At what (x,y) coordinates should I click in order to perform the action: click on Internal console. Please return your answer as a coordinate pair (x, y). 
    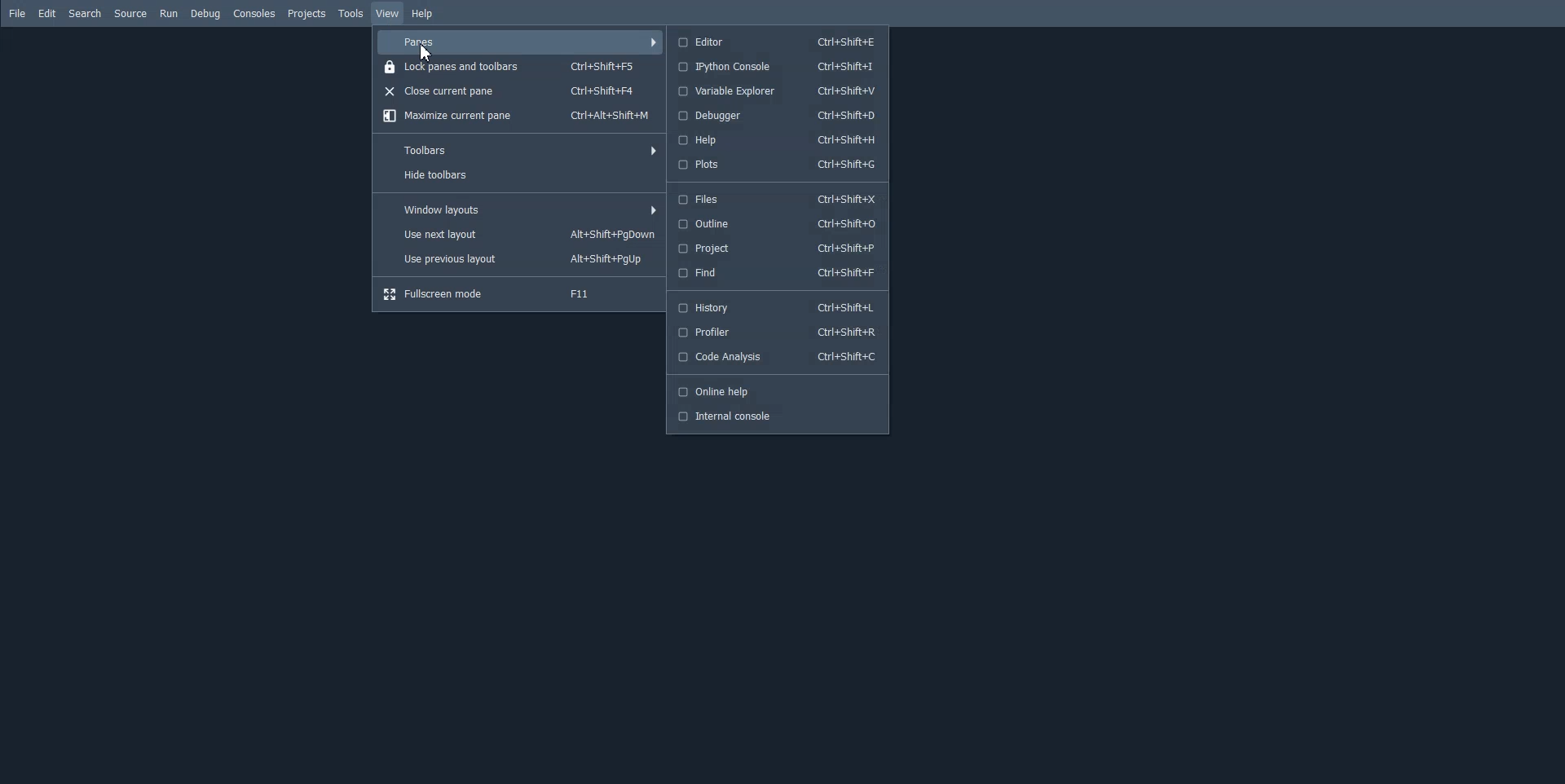
    Looking at the image, I should click on (776, 416).